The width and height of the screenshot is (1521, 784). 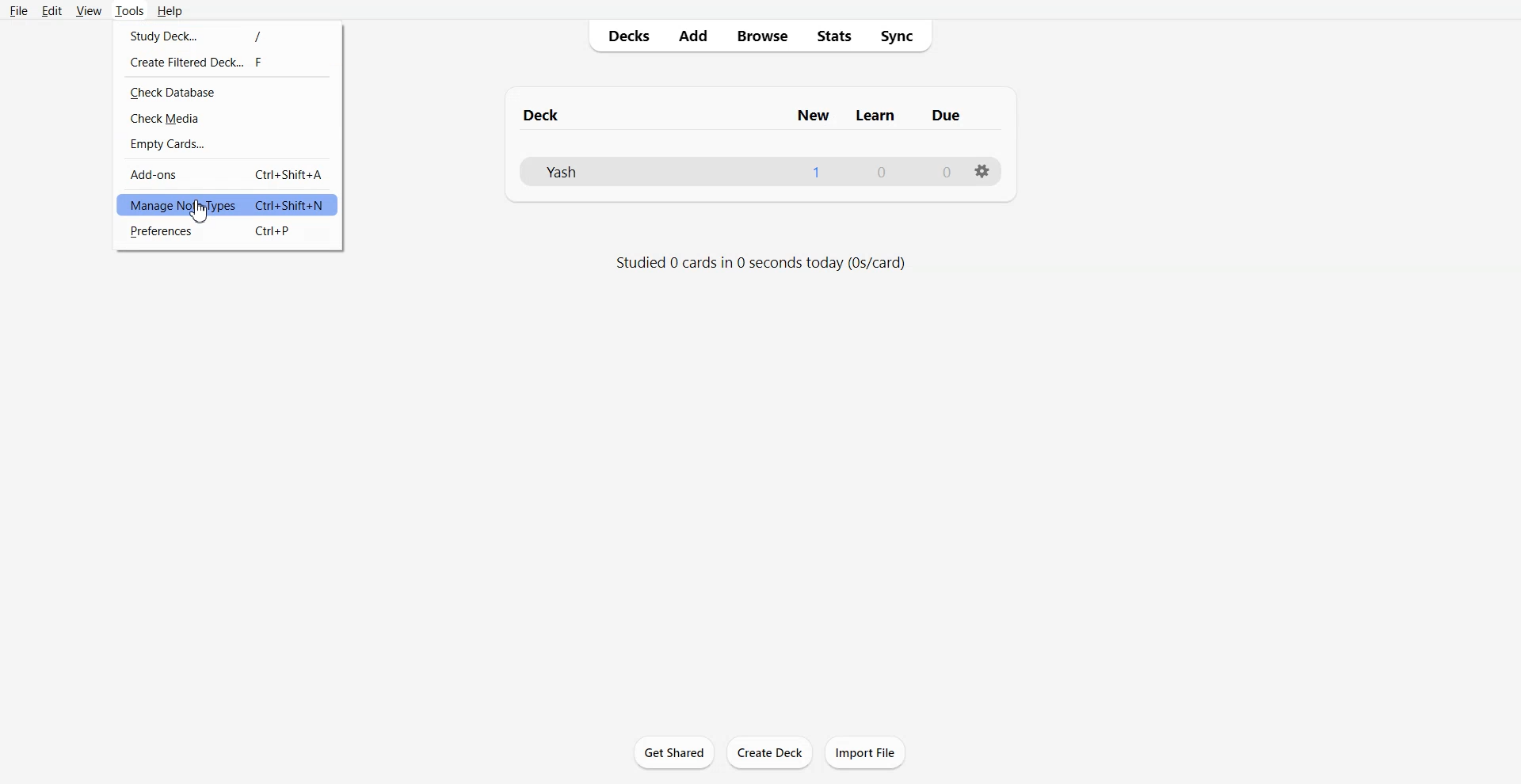 I want to click on Settings, so click(x=980, y=171).